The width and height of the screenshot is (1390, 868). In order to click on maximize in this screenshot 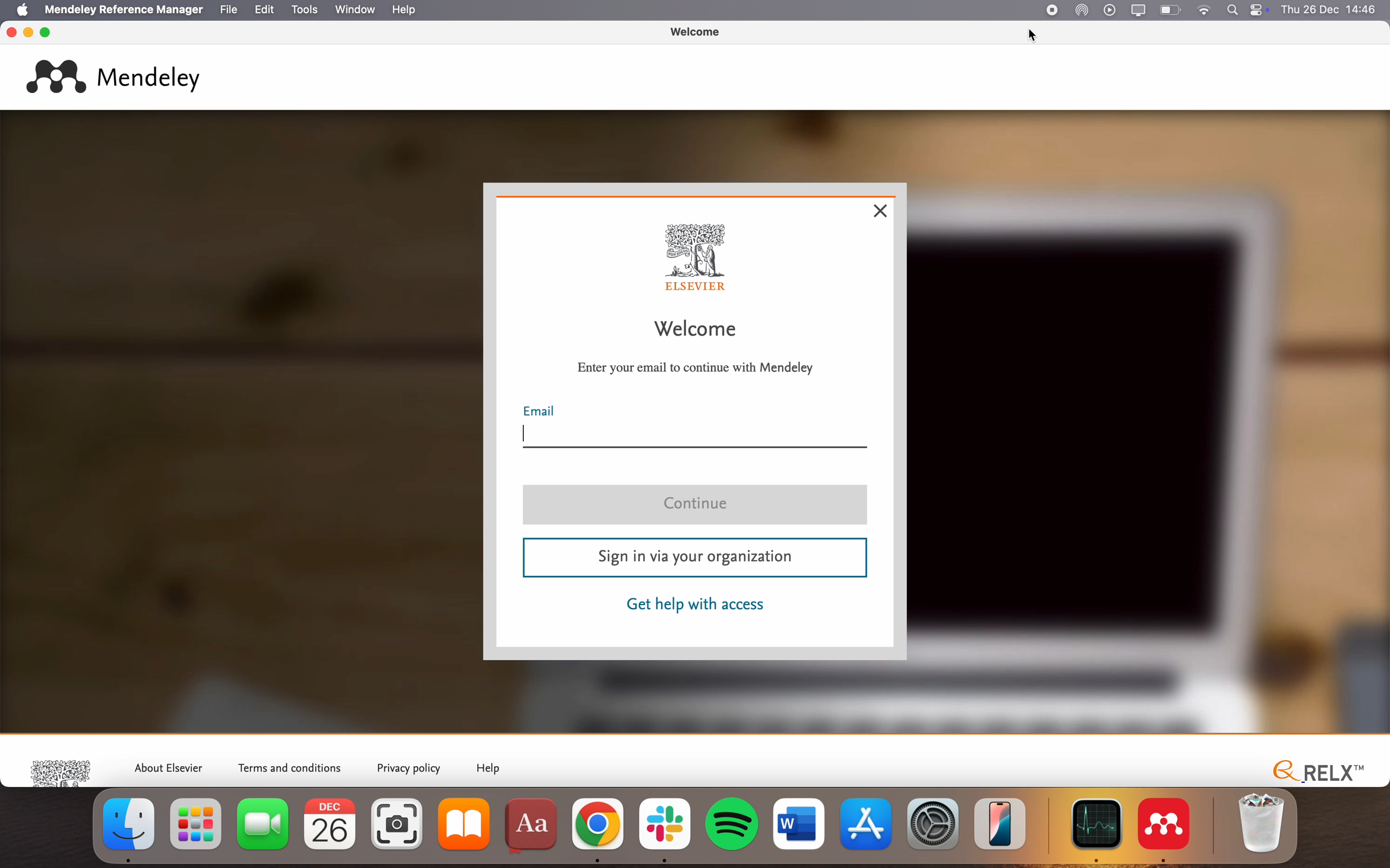, I will do `click(46, 31)`.